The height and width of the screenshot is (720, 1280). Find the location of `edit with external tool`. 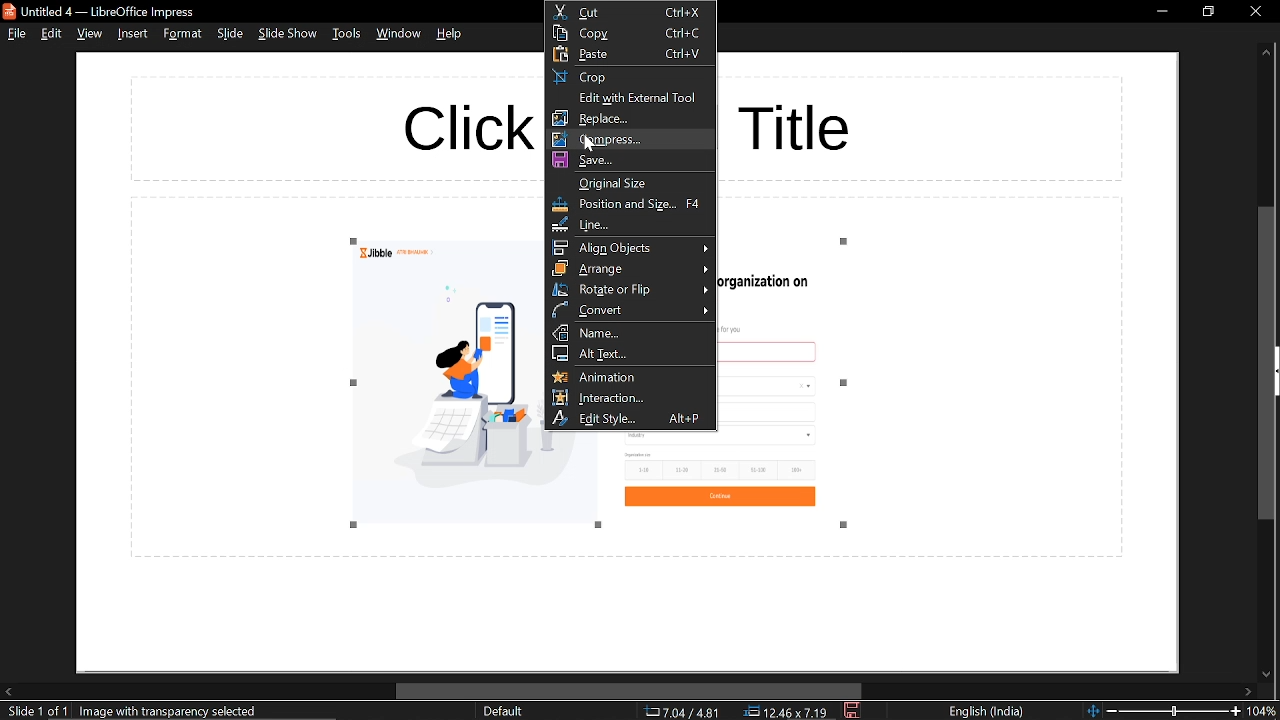

edit with external tool is located at coordinates (630, 96).